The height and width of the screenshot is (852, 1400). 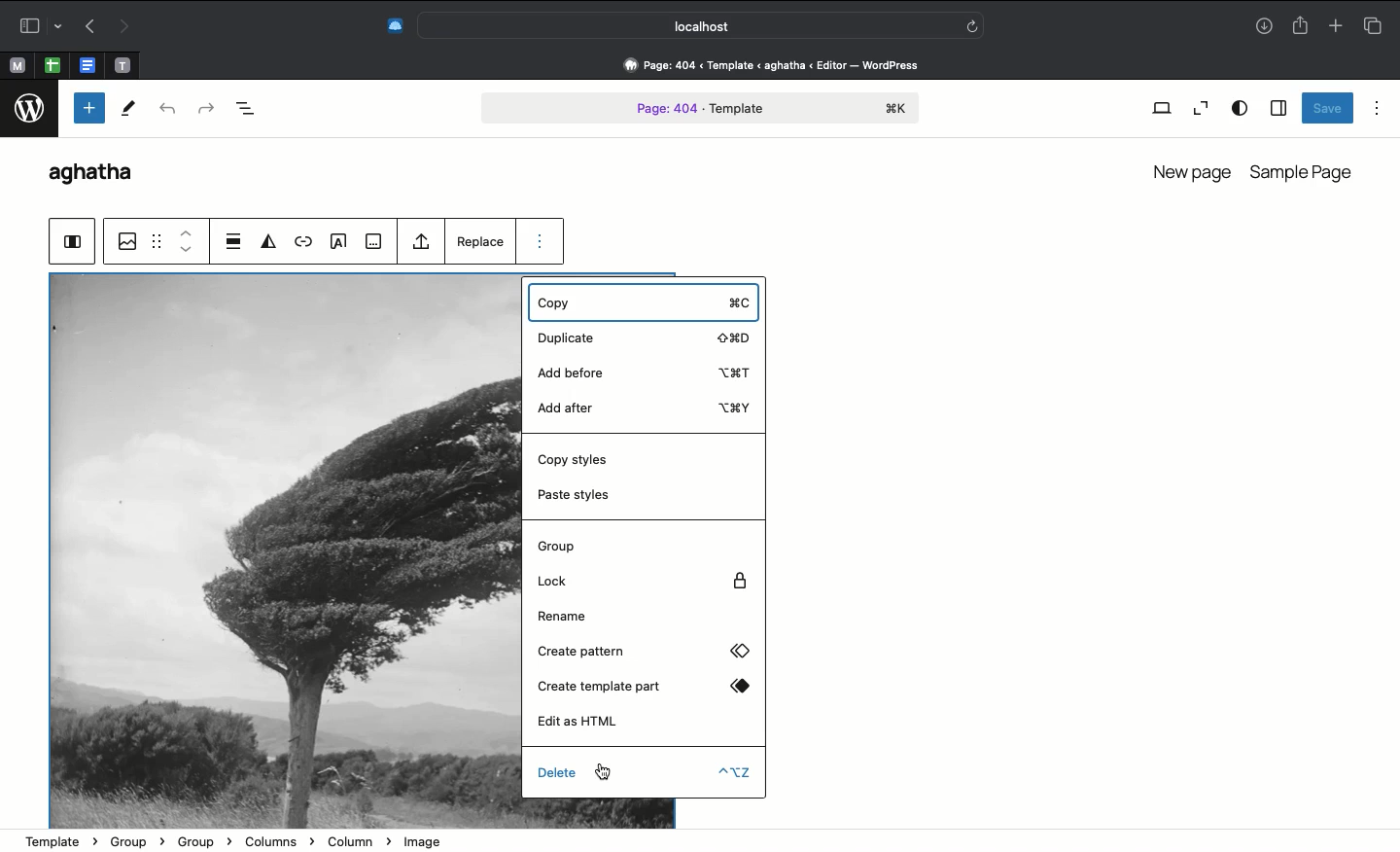 What do you see at coordinates (234, 243) in the screenshot?
I see `Align` at bounding box center [234, 243].